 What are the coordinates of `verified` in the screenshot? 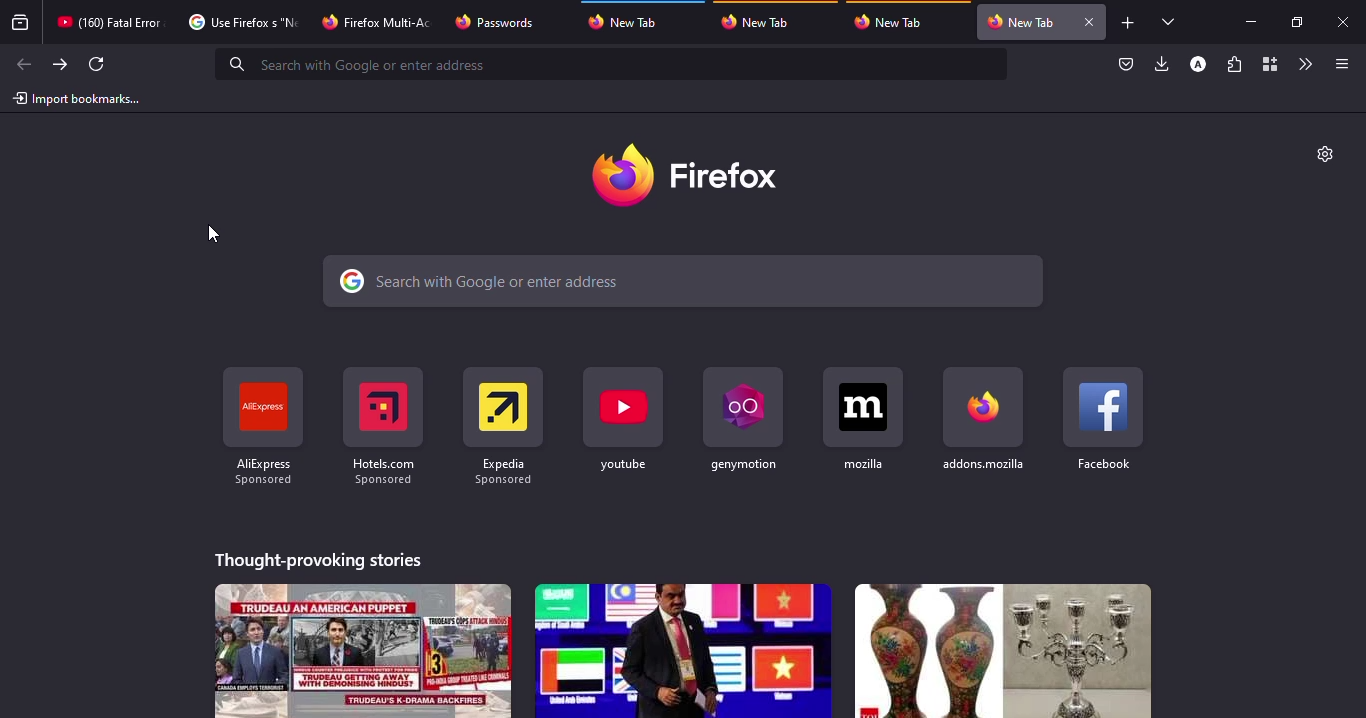 It's located at (1127, 64).